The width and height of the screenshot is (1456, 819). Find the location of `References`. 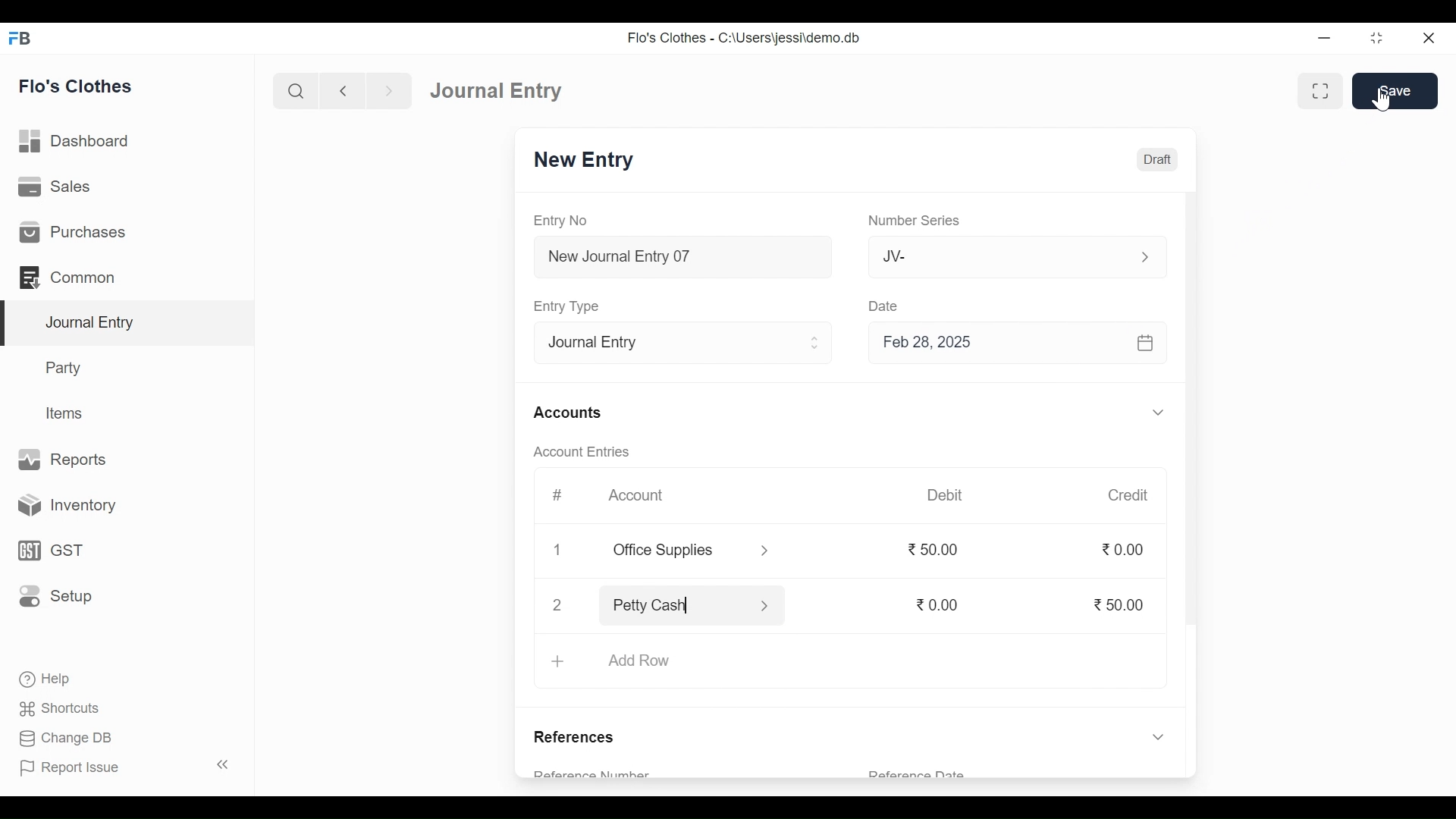

References is located at coordinates (580, 739).